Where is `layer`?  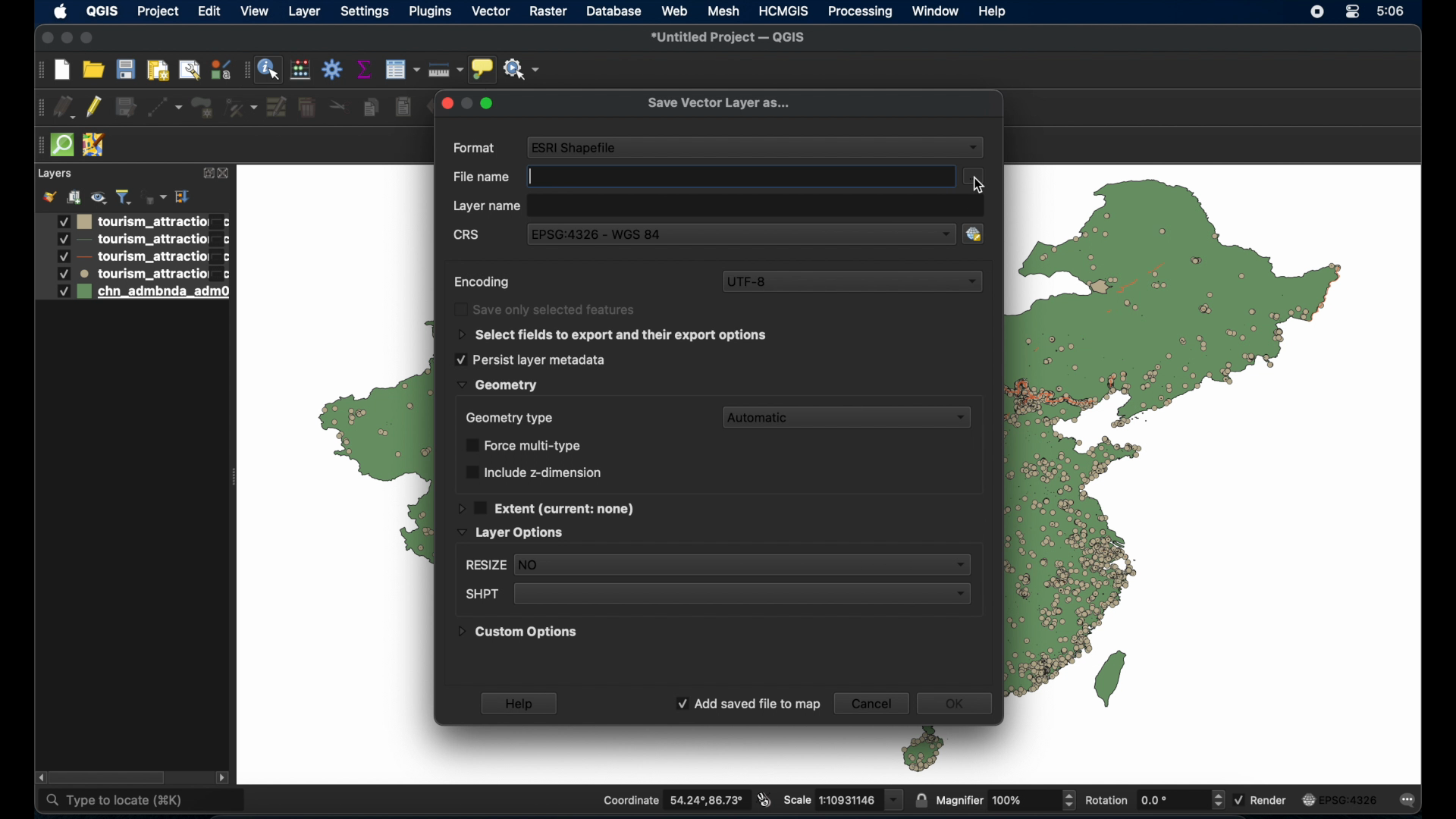 layer is located at coordinates (304, 14).